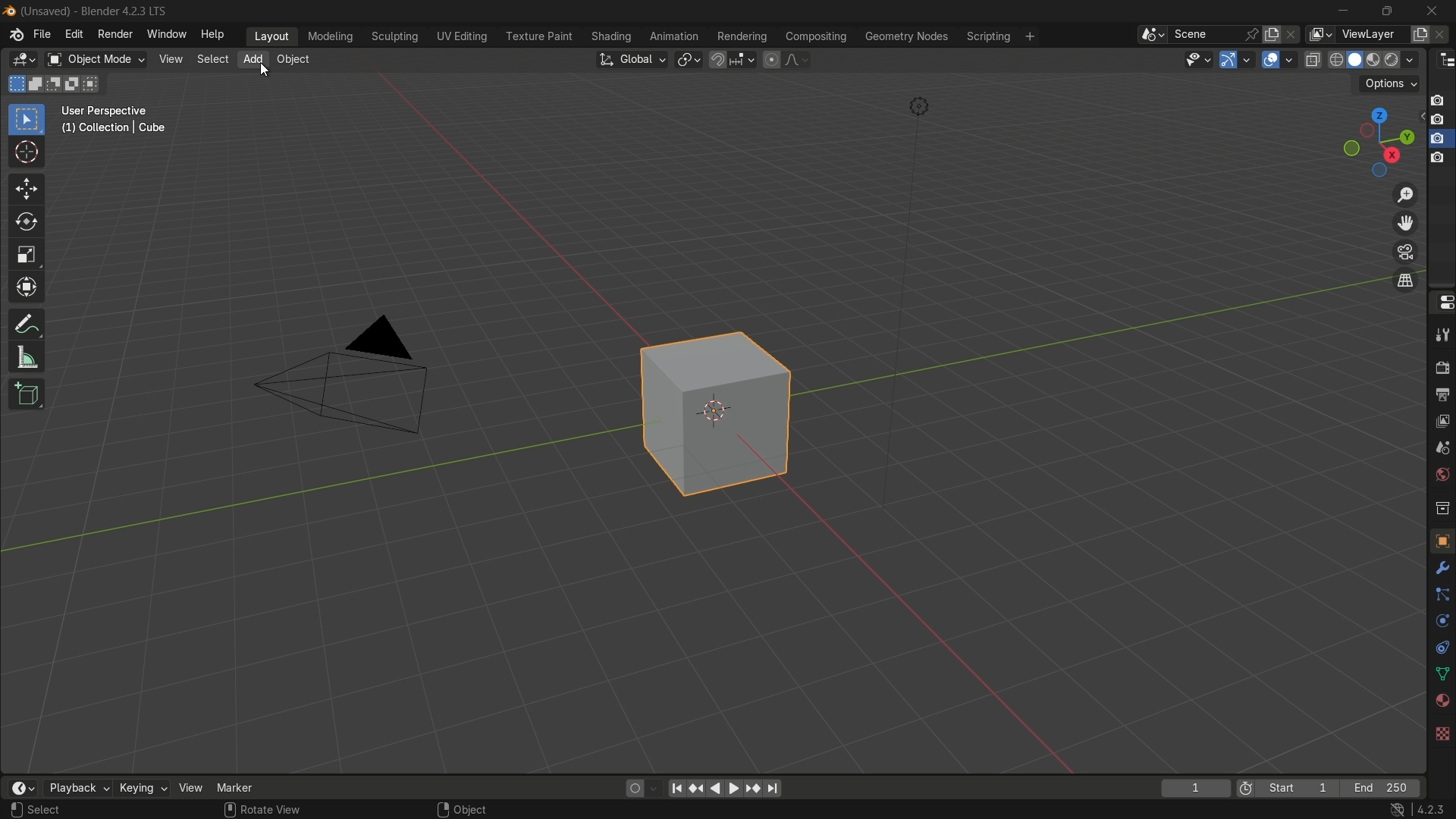  What do you see at coordinates (27, 256) in the screenshot?
I see `scale` at bounding box center [27, 256].